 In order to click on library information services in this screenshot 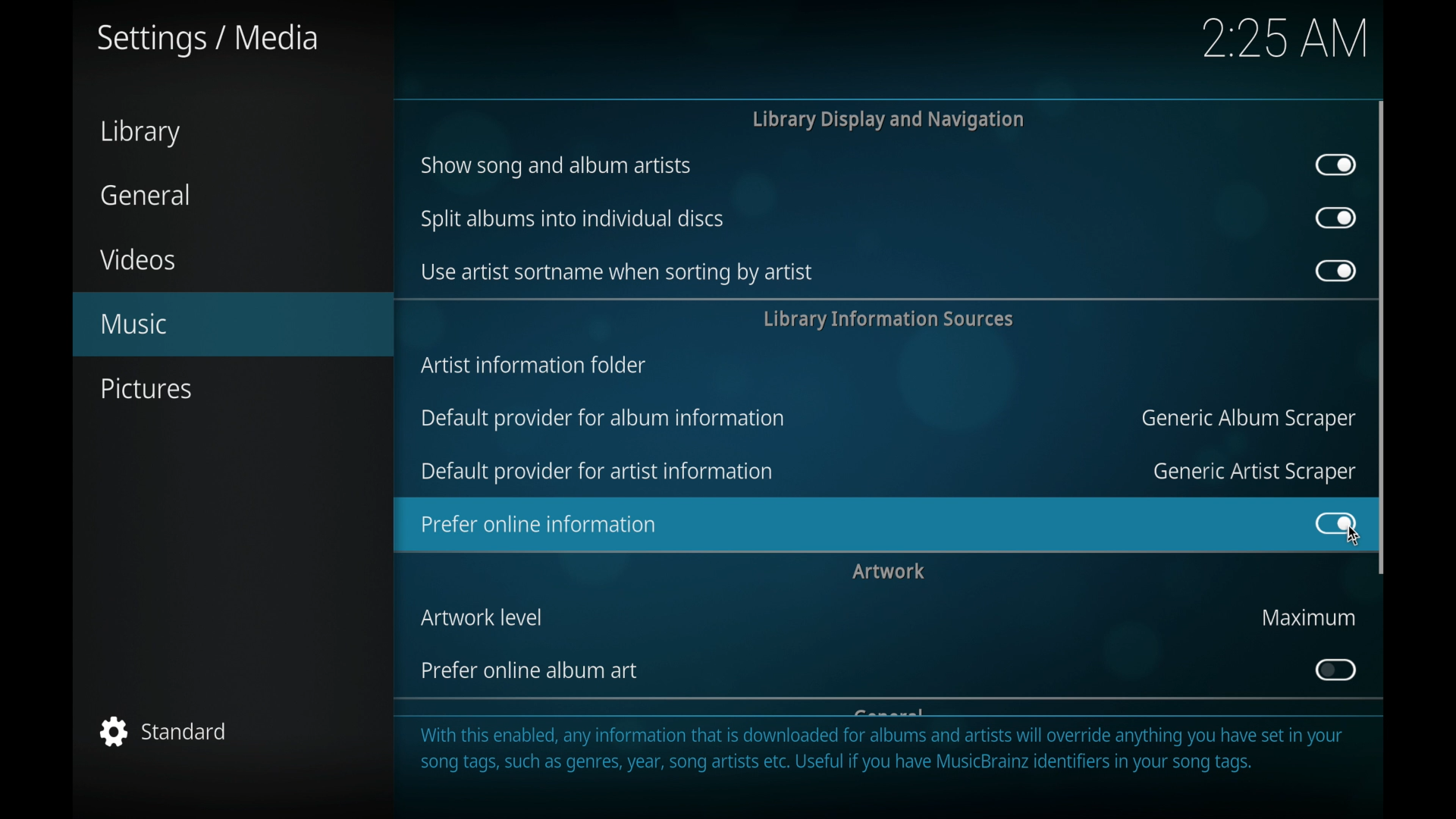, I will do `click(887, 320)`.